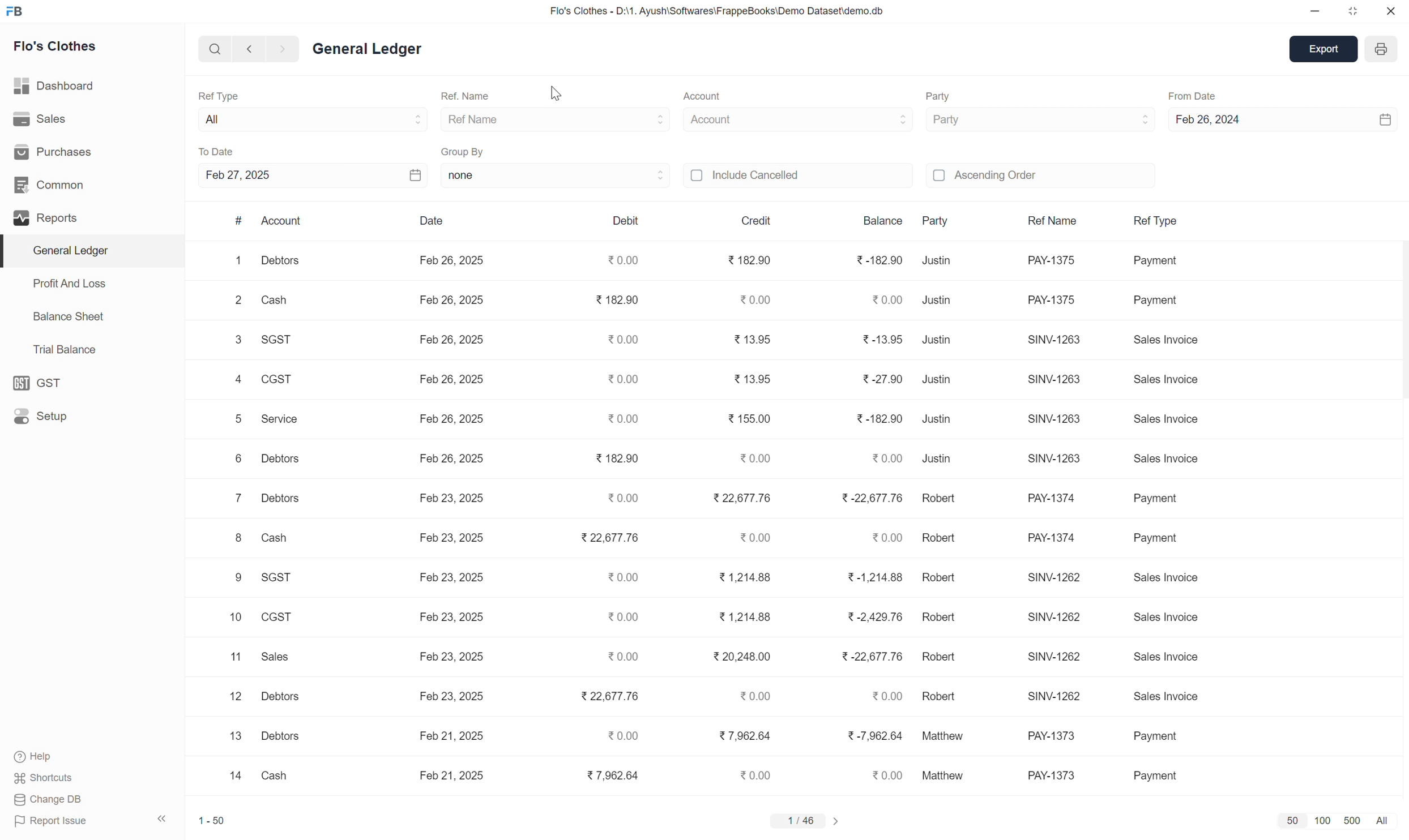 The image size is (1409, 840). What do you see at coordinates (943, 777) in the screenshot?
I see `mathew` at bounding box center [943, 777].